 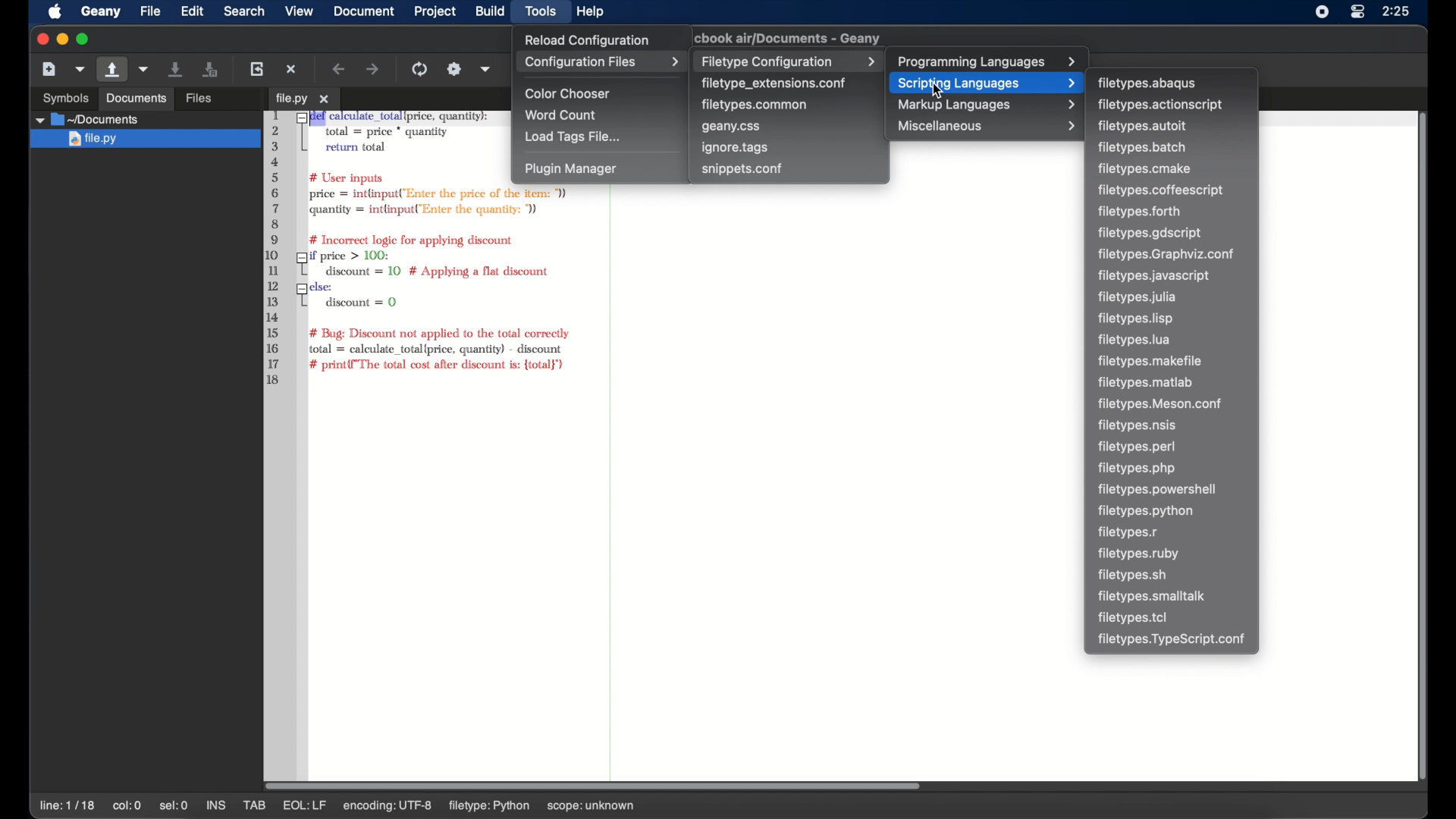 What do you see at coordinates (150, 11) in the screenshot?
I see `file` at bounding box center [150, 11].